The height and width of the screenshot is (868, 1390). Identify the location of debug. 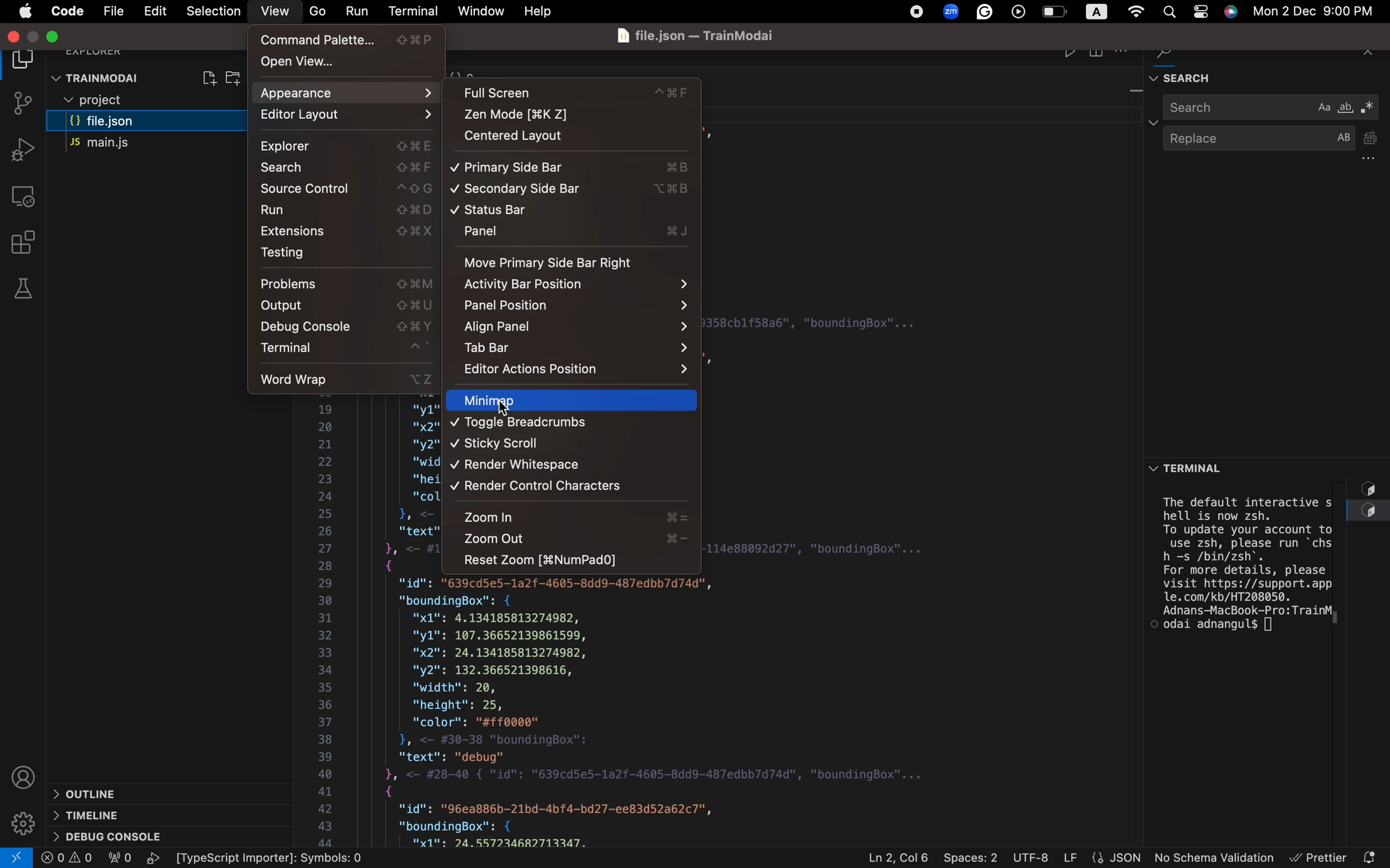
(118, 838).